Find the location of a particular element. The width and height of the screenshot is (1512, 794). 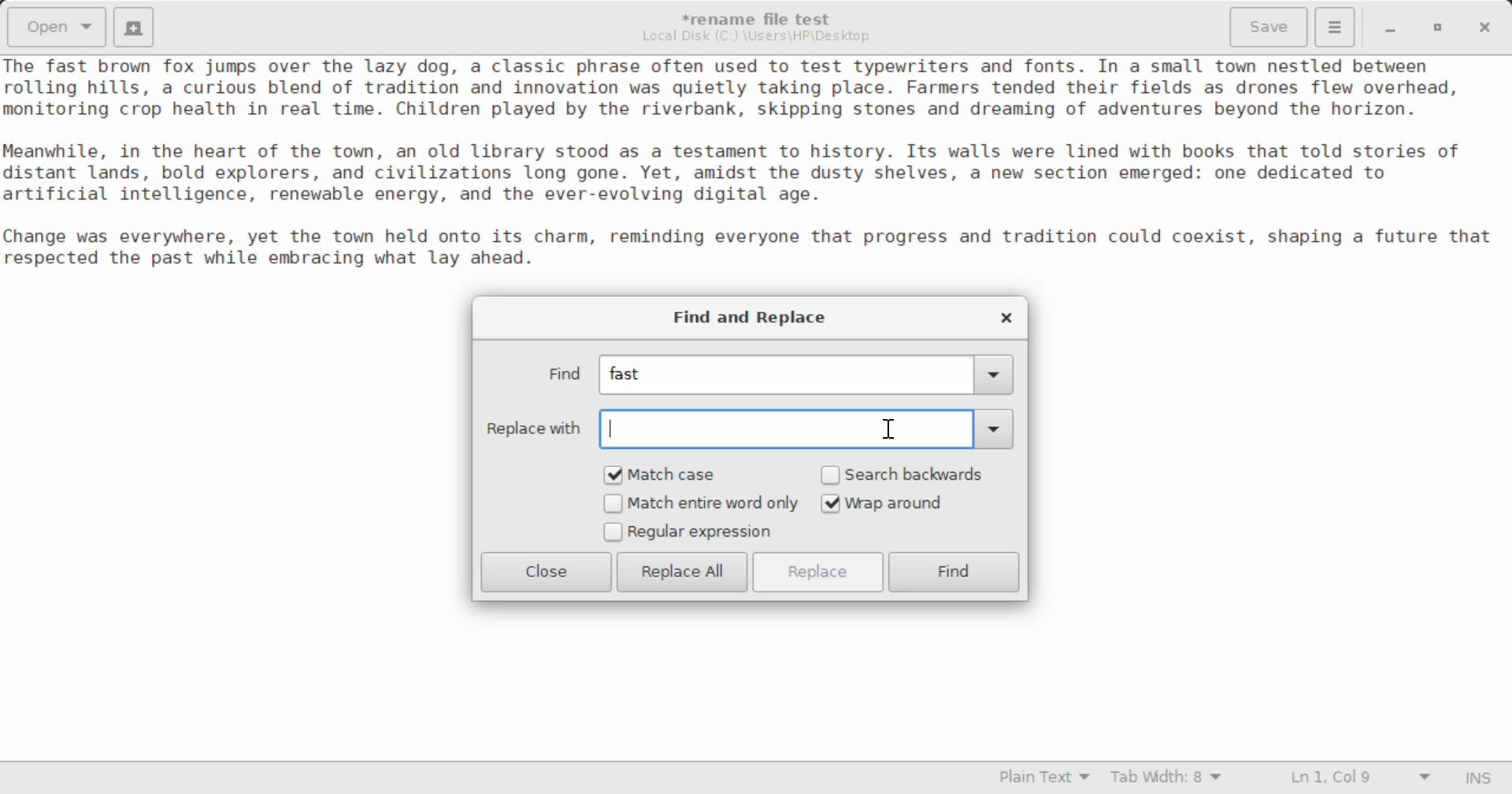

Find and Replace Window Heading is located at coordinates (751, 318).